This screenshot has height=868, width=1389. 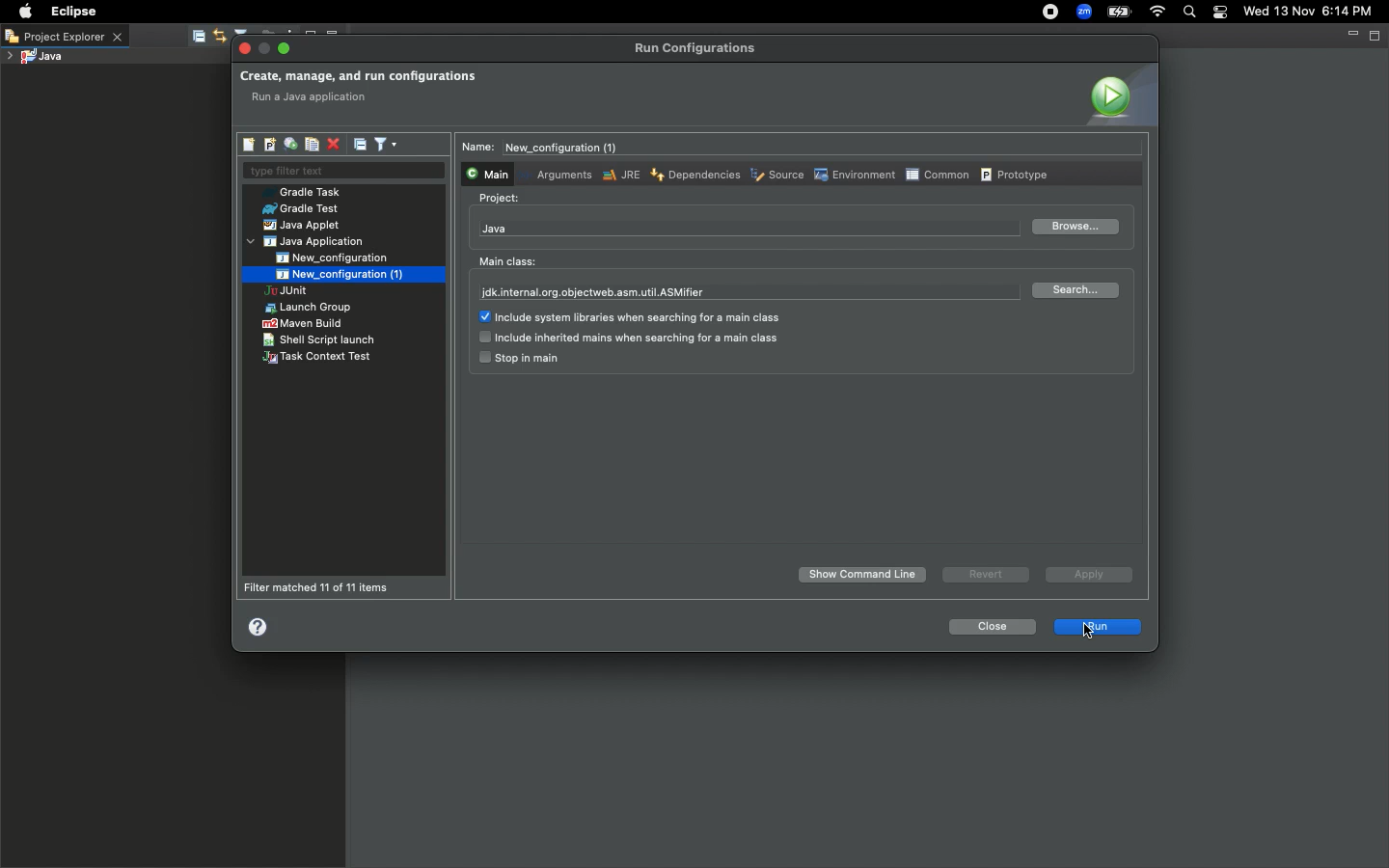 What do you see at coordinates (71, 12) in the screenshot?
I see `Eclipse` at bounding box center [71, 12].